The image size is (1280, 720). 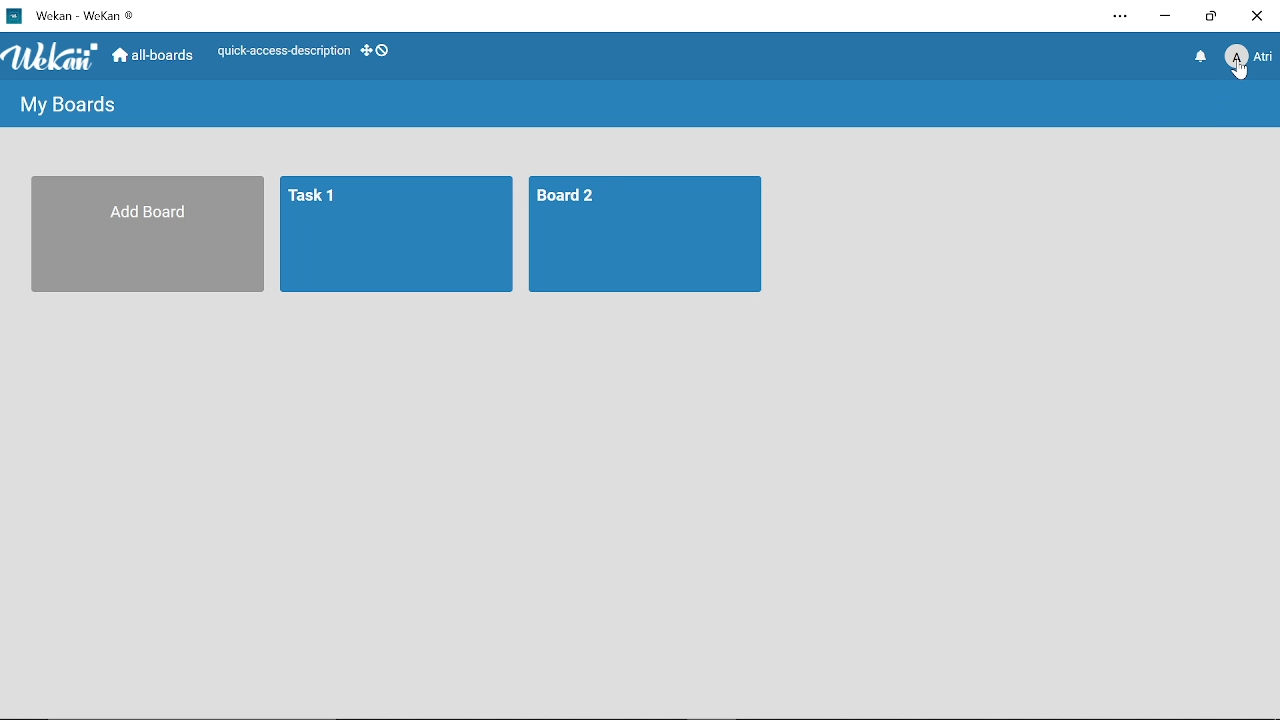 What do you see at coordinates (1258, 16) in the screenshot?
I see `Close` at bounding box center [1258, 16].